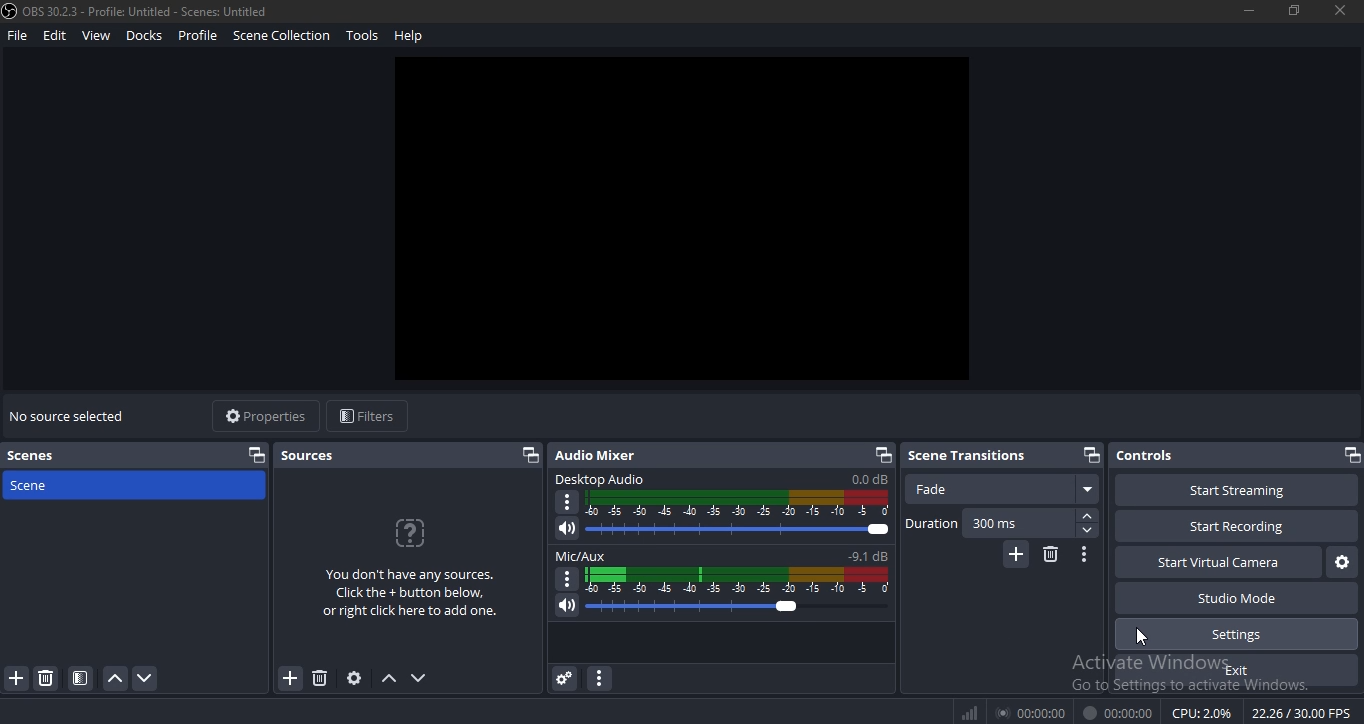  I want to click on close, so click(1341, 11).